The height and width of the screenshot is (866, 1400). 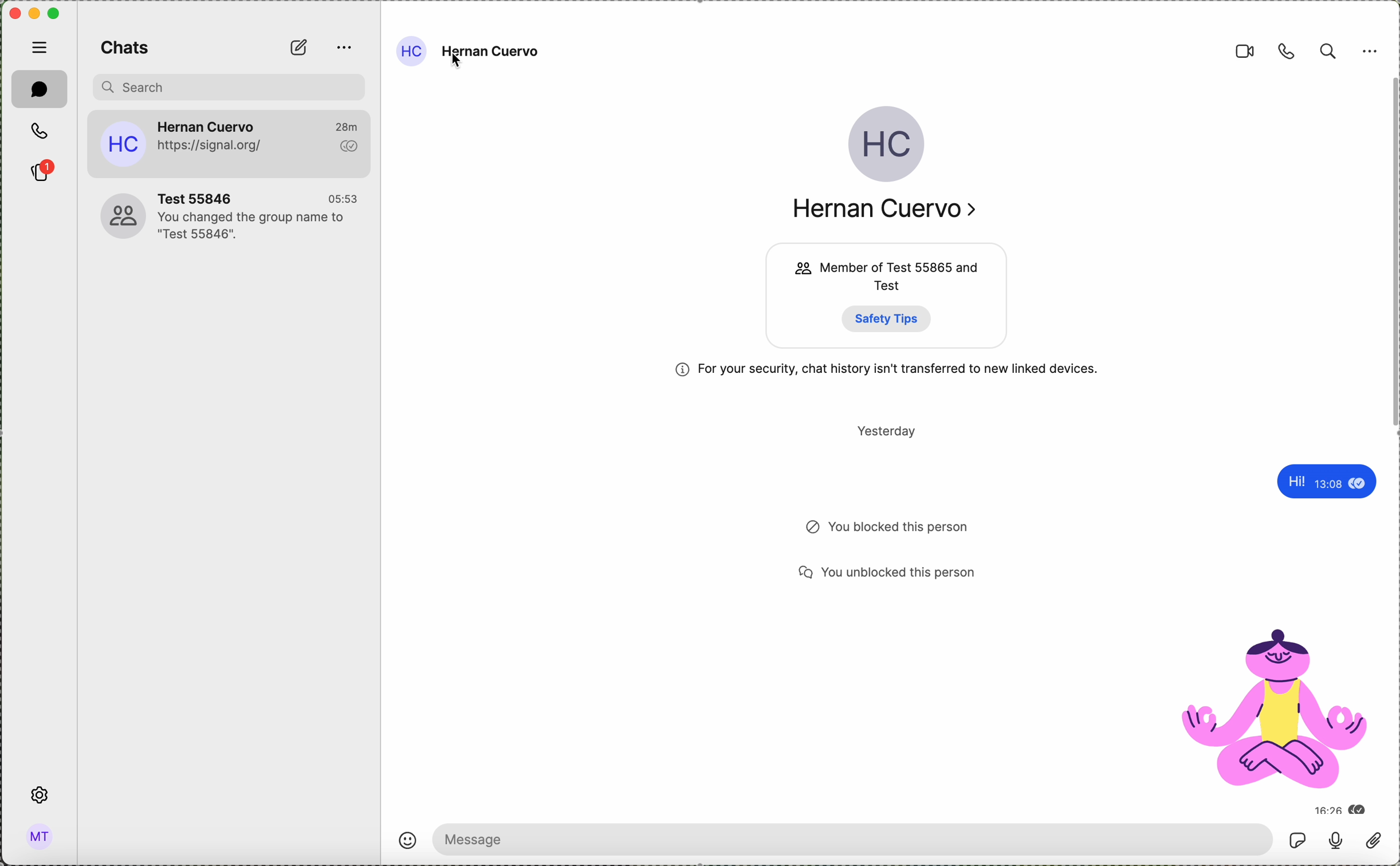 What do you see at coordinates (900, 573) in the screenshot?
I see `) You unblocked this person` at bounding box center [900, 573].